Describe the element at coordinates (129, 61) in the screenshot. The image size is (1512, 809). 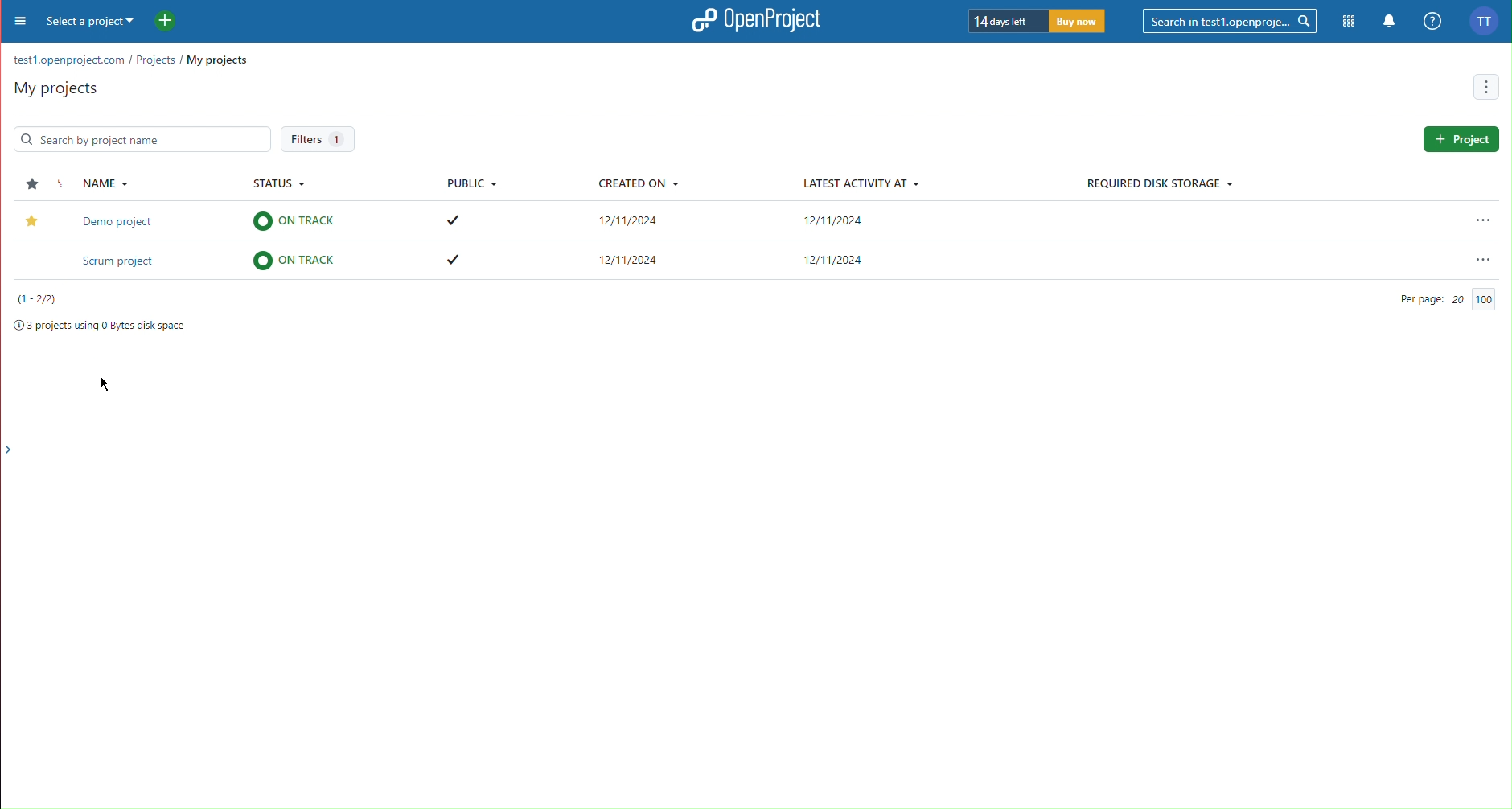
I see `File location` at that location.